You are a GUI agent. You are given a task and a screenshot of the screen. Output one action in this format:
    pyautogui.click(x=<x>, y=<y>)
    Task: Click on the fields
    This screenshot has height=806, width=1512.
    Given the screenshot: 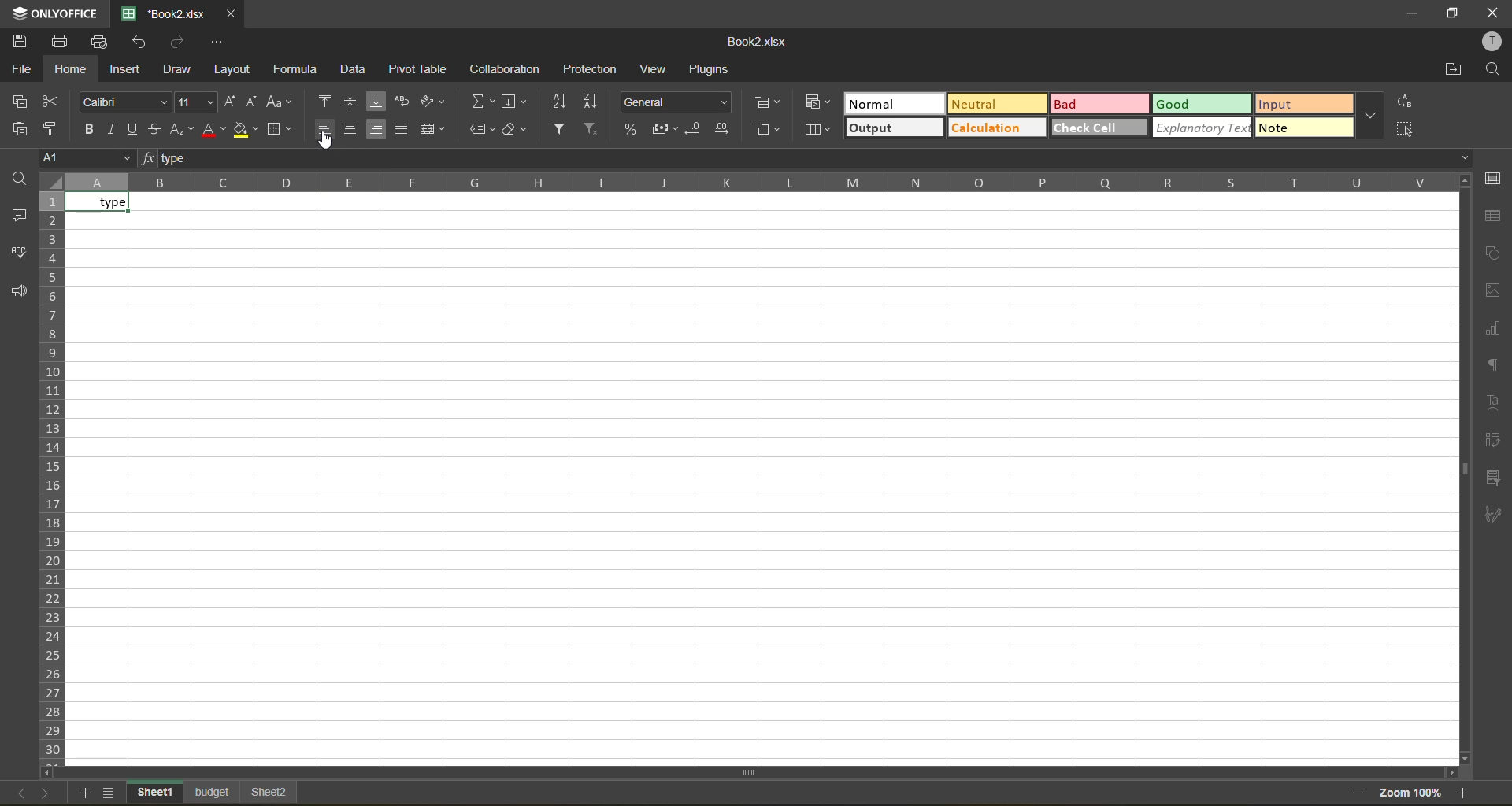 What is the action you would take?
    pyautogui.click(x=513, y=104)
    